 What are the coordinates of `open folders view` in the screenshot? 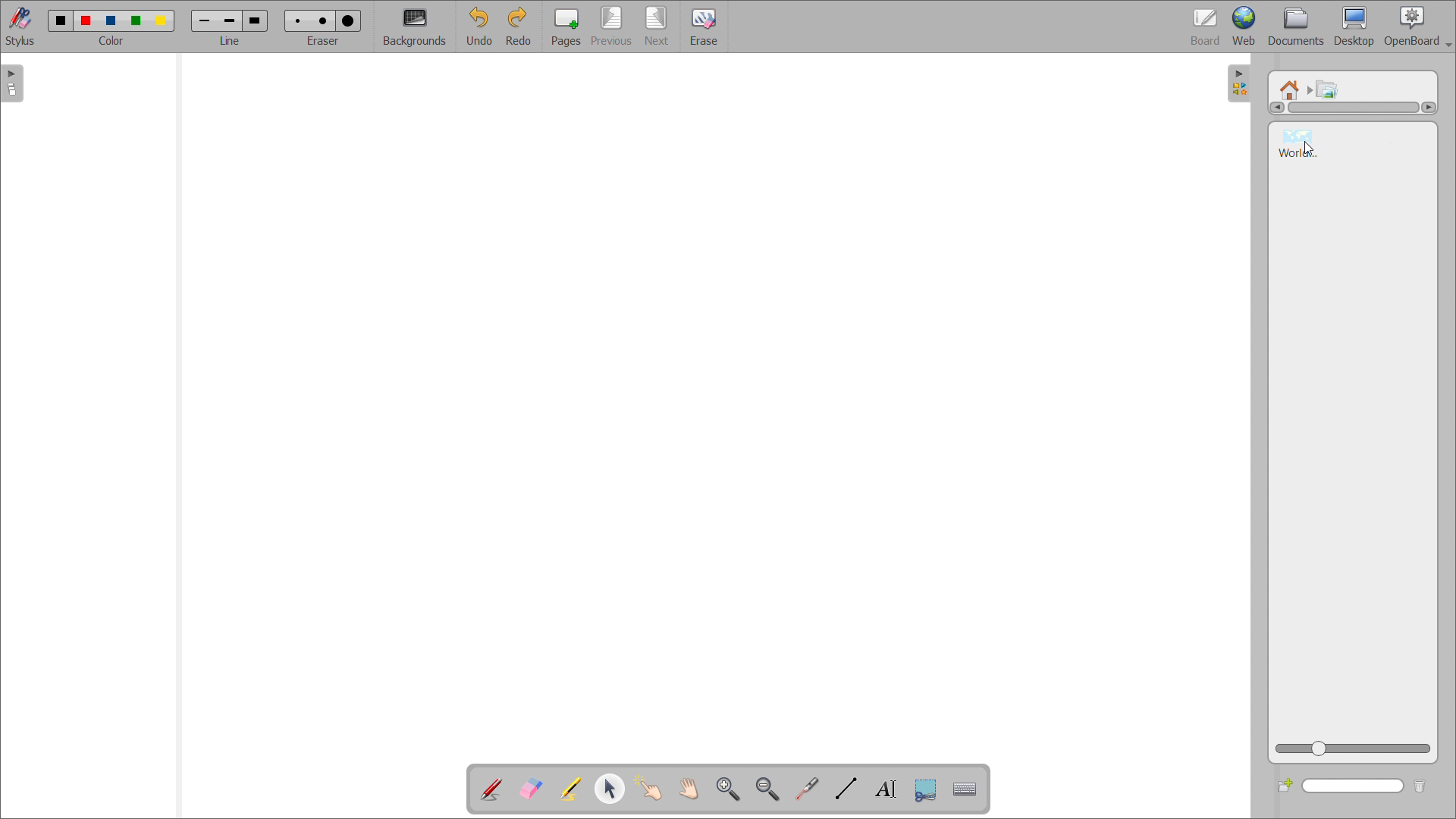 It's located at (1238, 83).